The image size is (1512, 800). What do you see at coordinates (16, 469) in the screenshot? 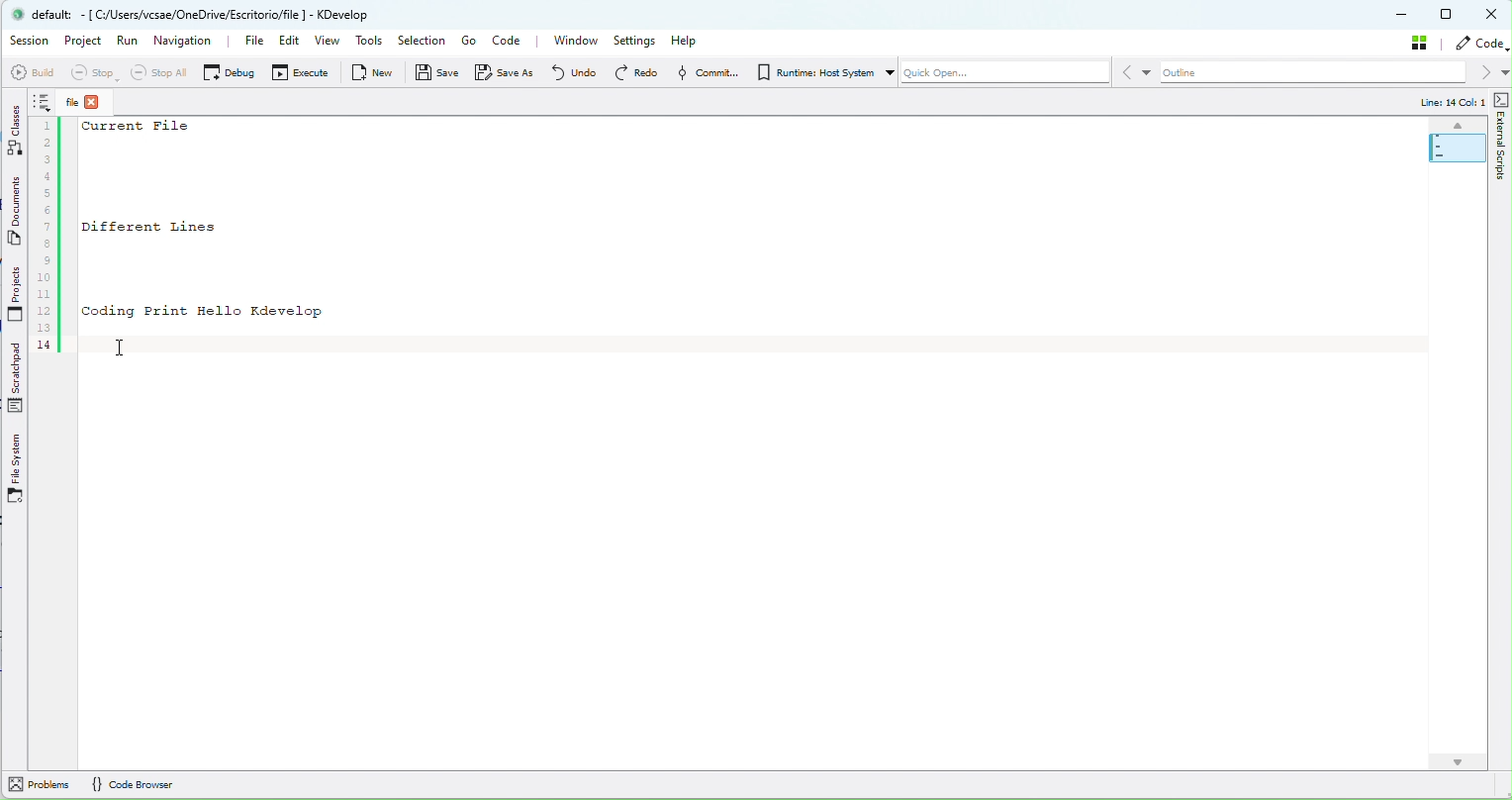
I see `File System` at bounding box center [16, 469].